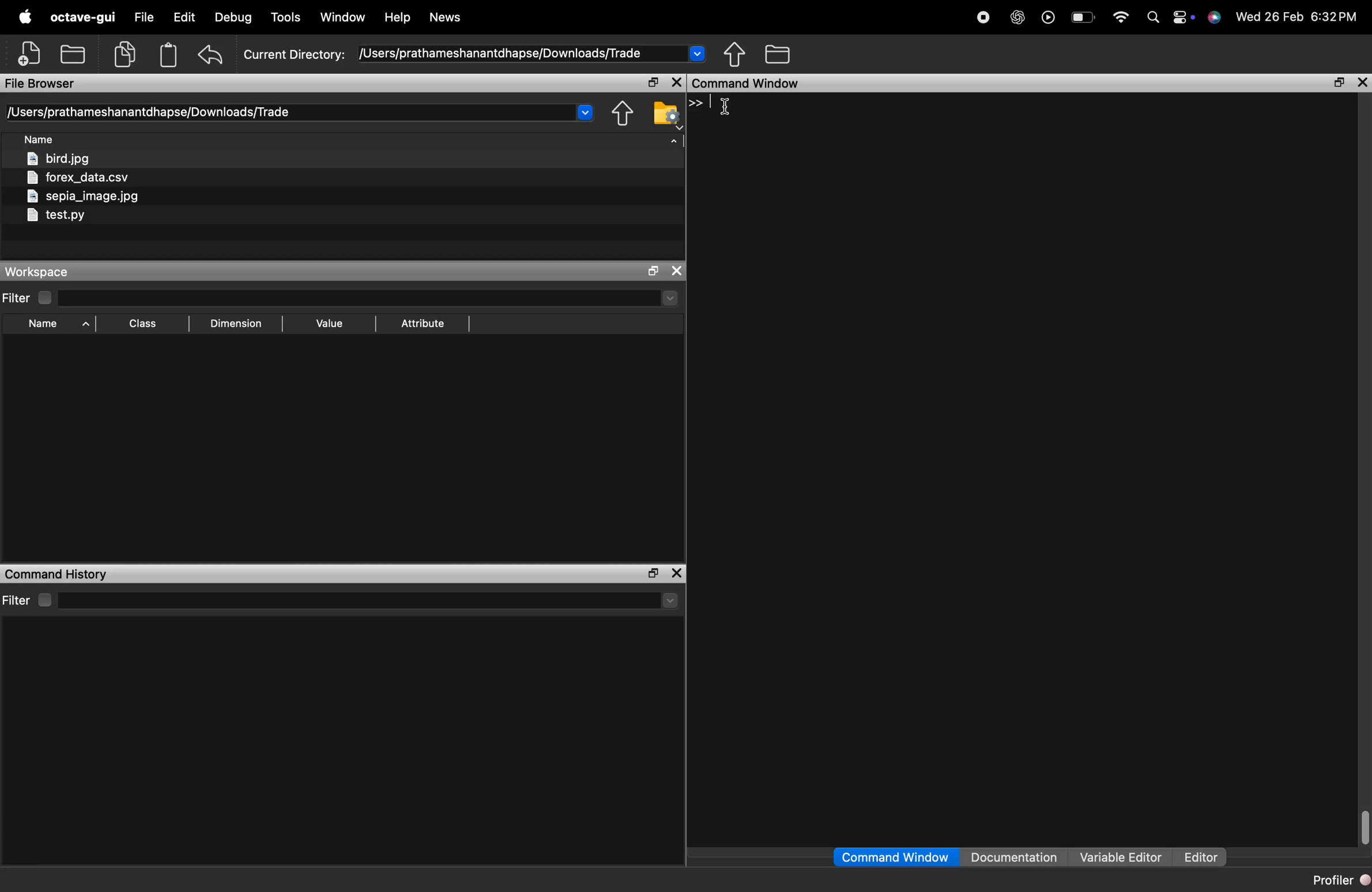 The image size is (1372, 892). I want to click on files, so click(86, 188).